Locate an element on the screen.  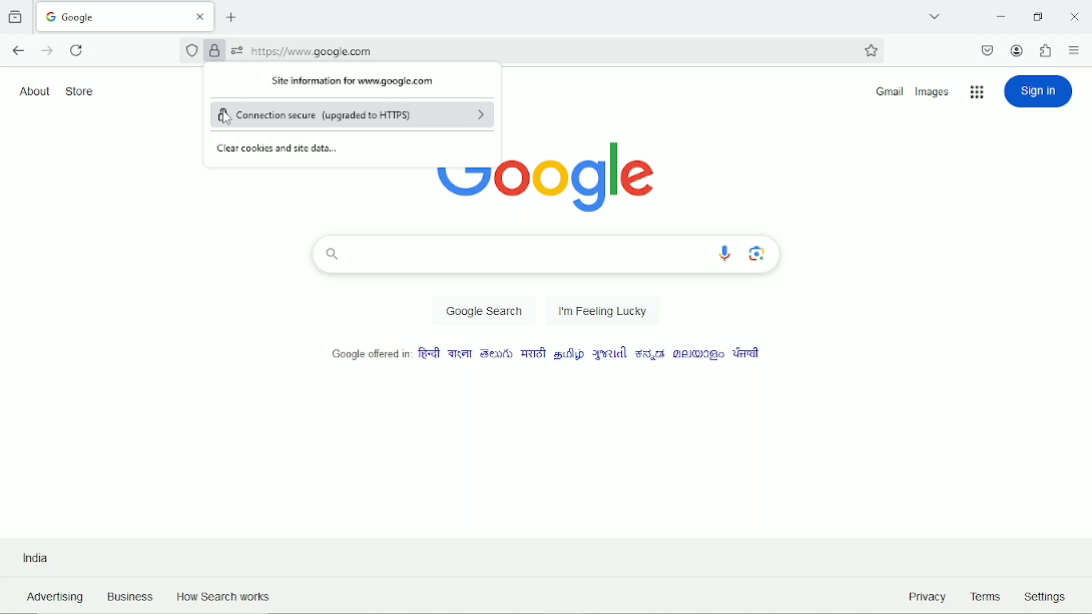
Privacy is located at coordinates (924, 596).